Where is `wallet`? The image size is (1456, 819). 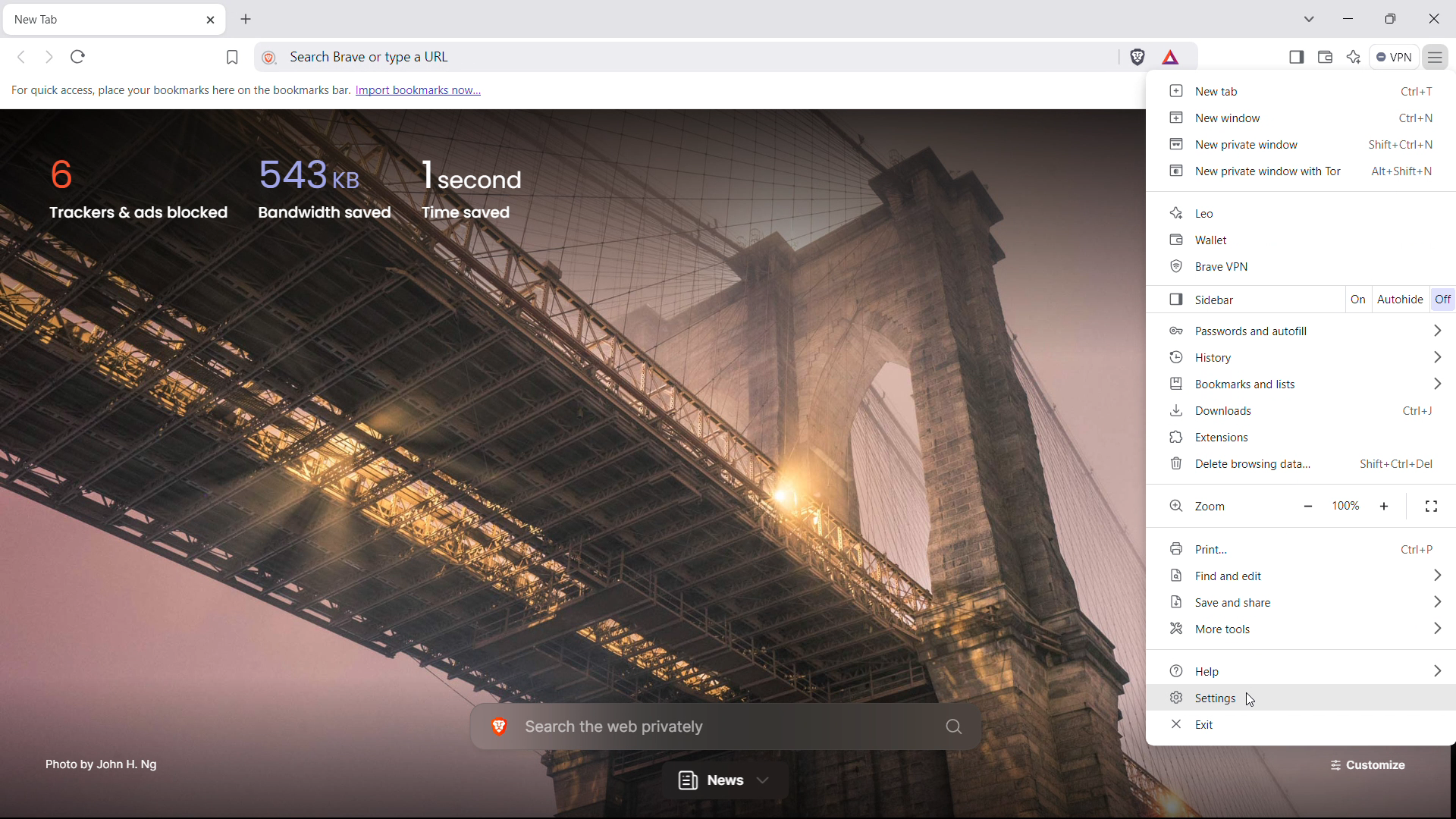
wallet is located at coordinates (1324, 57).